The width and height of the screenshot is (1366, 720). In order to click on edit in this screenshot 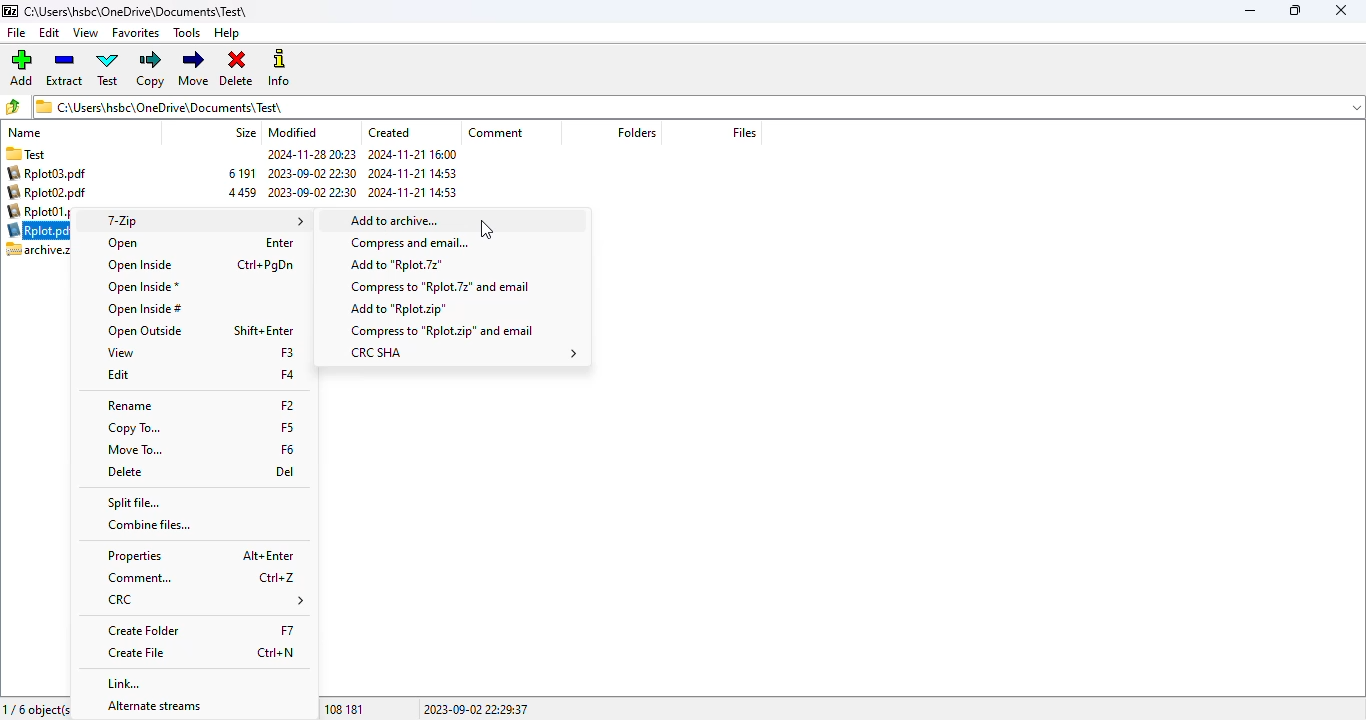, I will do `click(50, 32)`.